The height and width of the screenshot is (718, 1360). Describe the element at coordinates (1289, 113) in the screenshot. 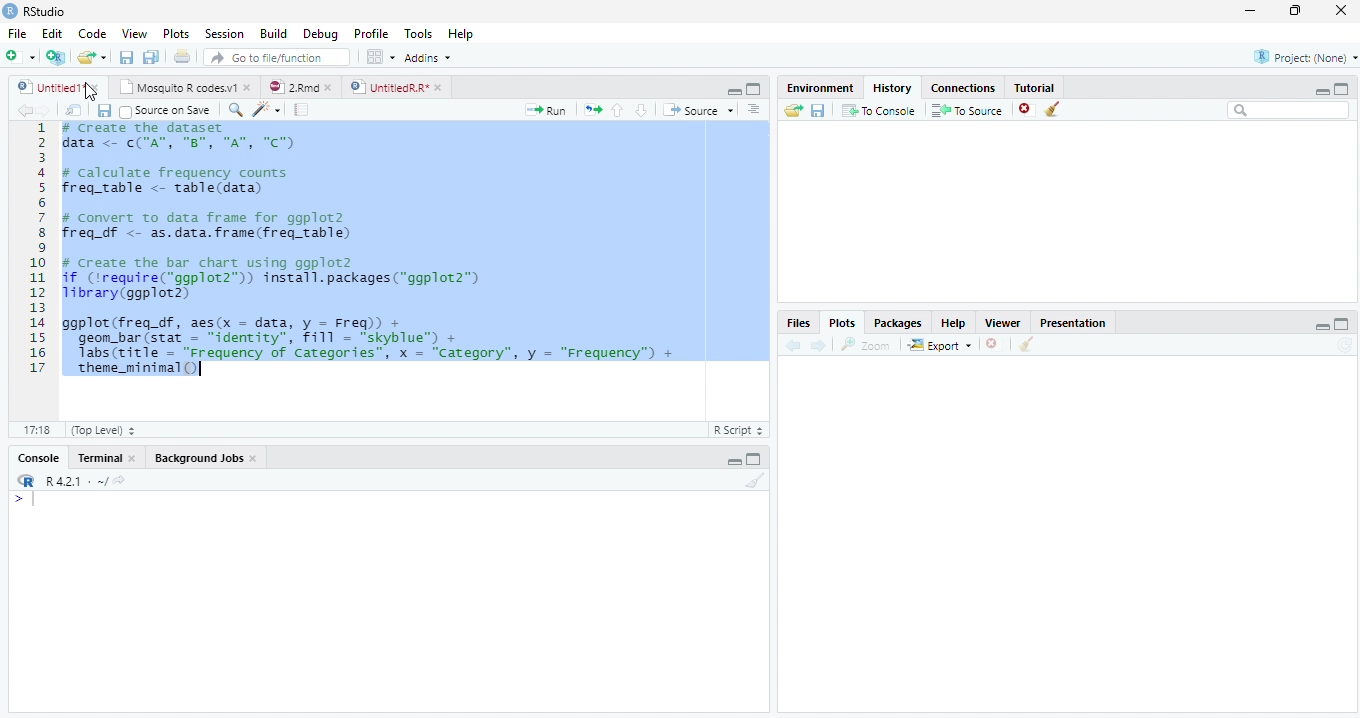

I see `Search` at that location.